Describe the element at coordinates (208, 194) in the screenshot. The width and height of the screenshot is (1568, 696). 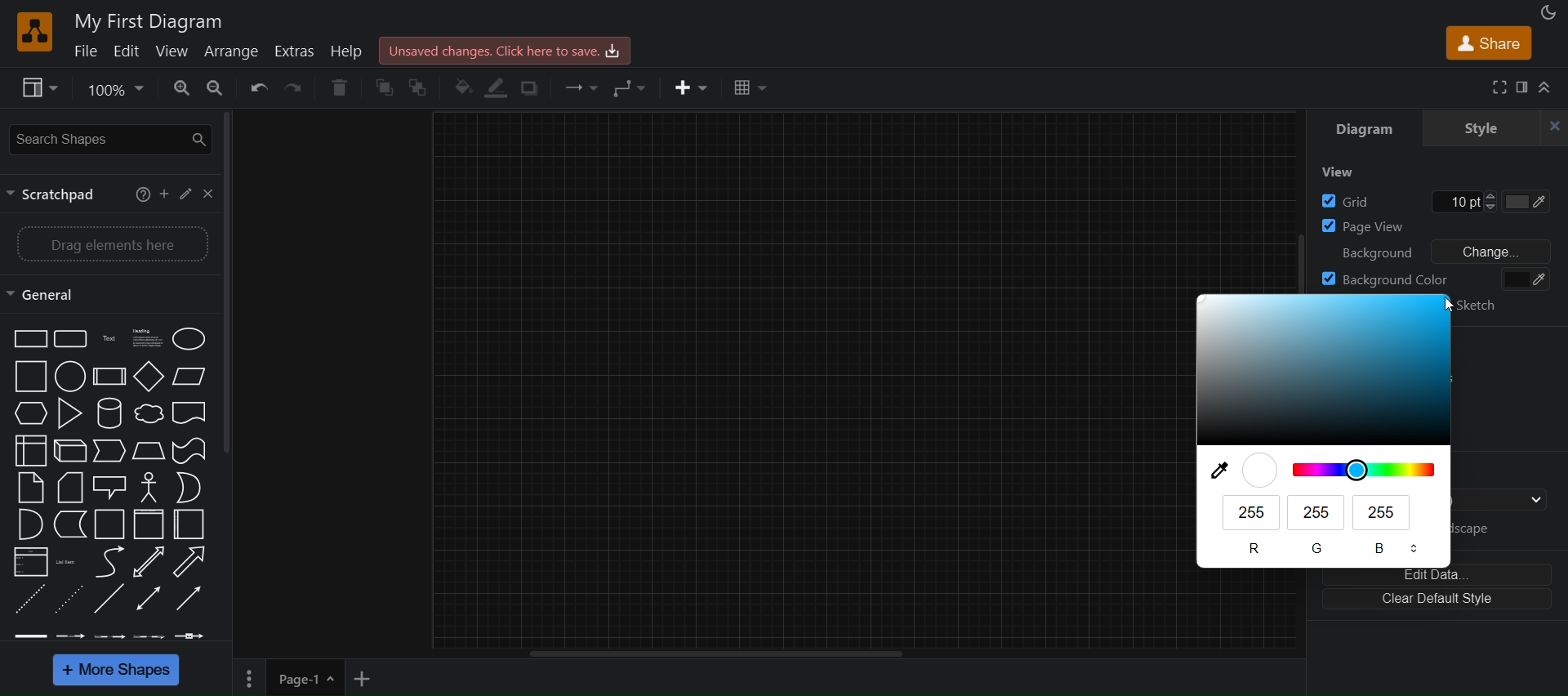
I see `close` at that location.